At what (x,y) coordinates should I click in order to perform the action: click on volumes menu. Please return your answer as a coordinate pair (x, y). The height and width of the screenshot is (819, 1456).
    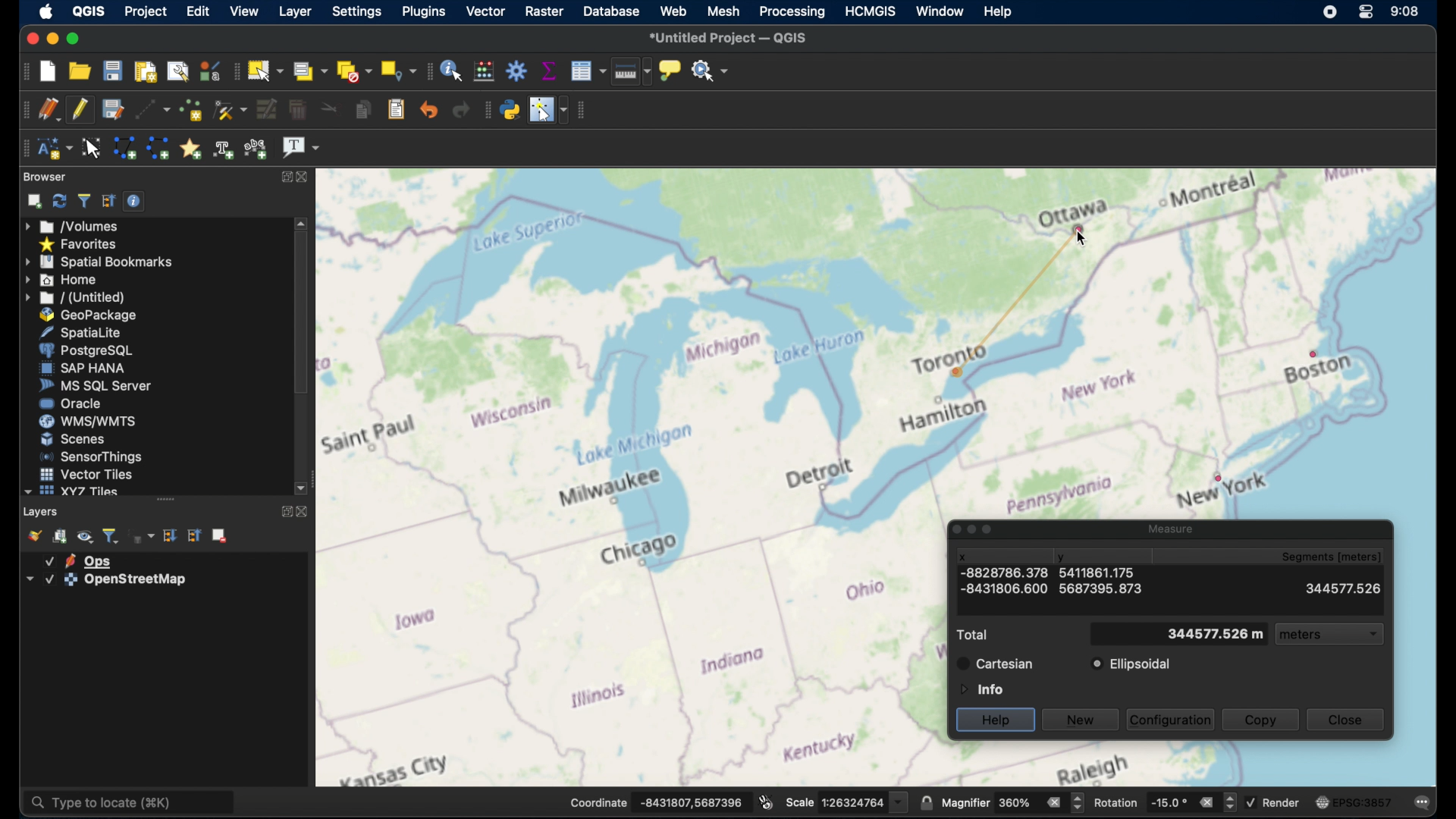
    Looking at the image, I should click on (75, 225).